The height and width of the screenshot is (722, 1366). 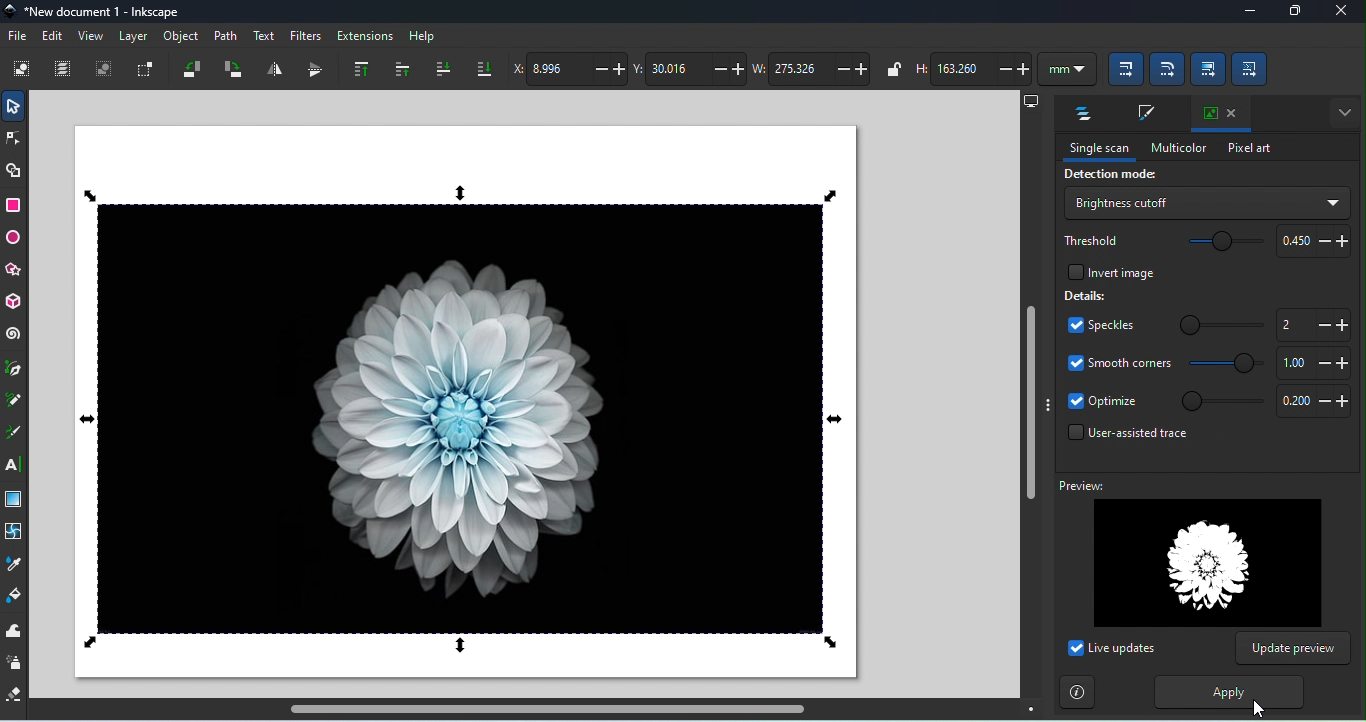 What do you see at coordinates (1341, 111) in the screenshot?
I see `Toggle panel options` at bounding box center [1341, 111].